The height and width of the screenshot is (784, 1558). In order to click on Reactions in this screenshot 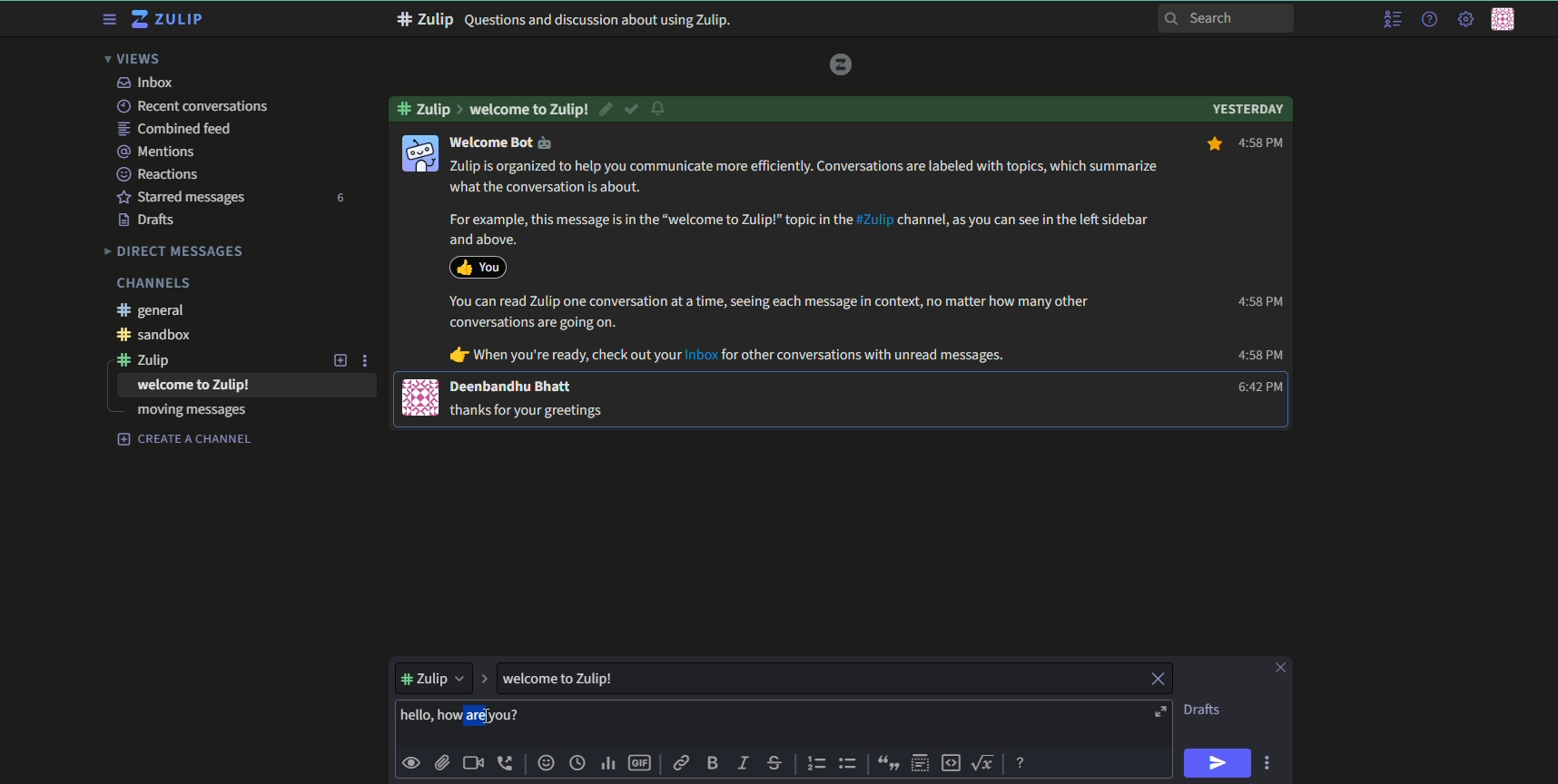, I will do `click(163, 173)`.